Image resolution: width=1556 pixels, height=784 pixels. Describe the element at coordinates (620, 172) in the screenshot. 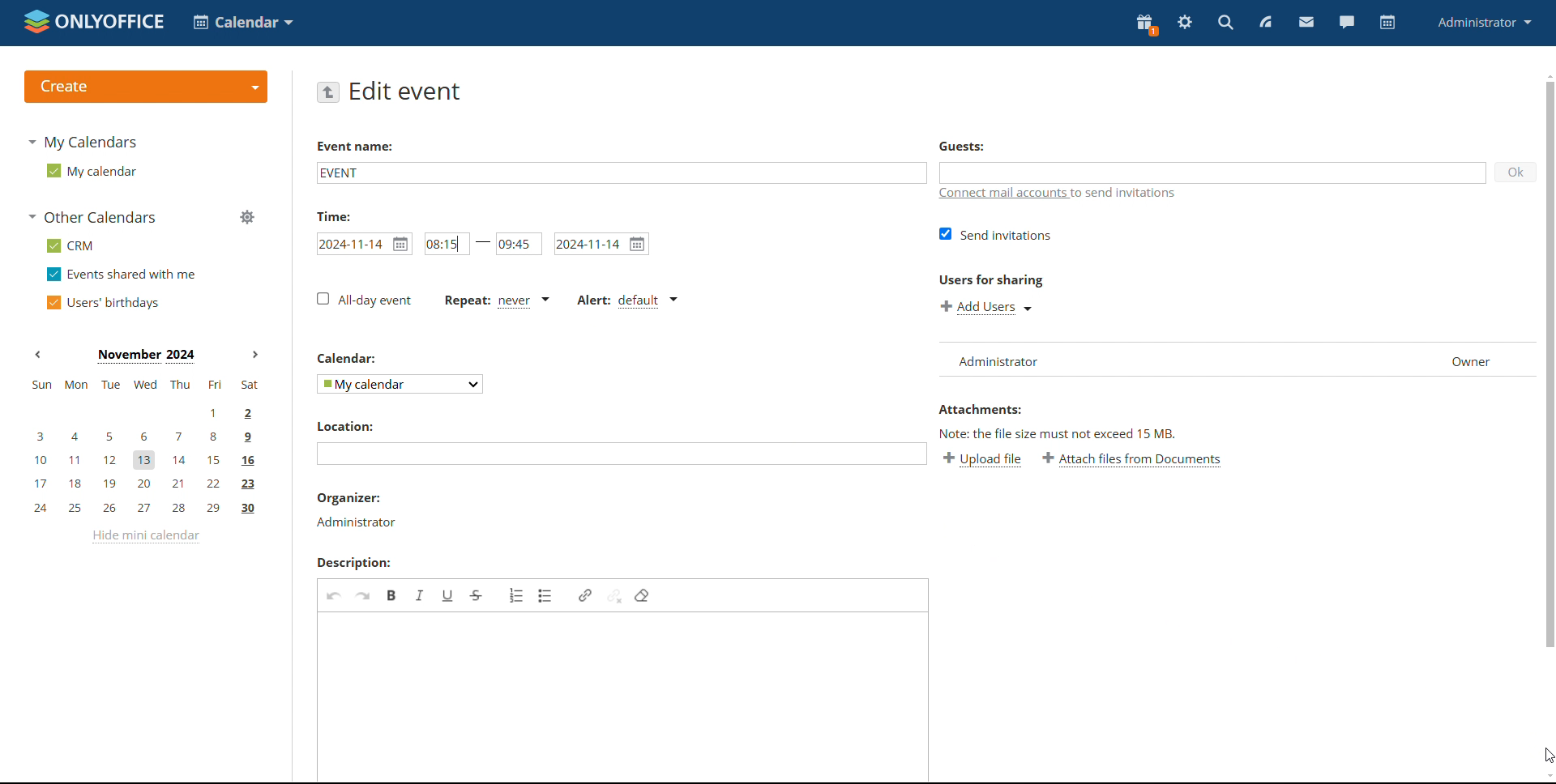

I see `event name` at that location.